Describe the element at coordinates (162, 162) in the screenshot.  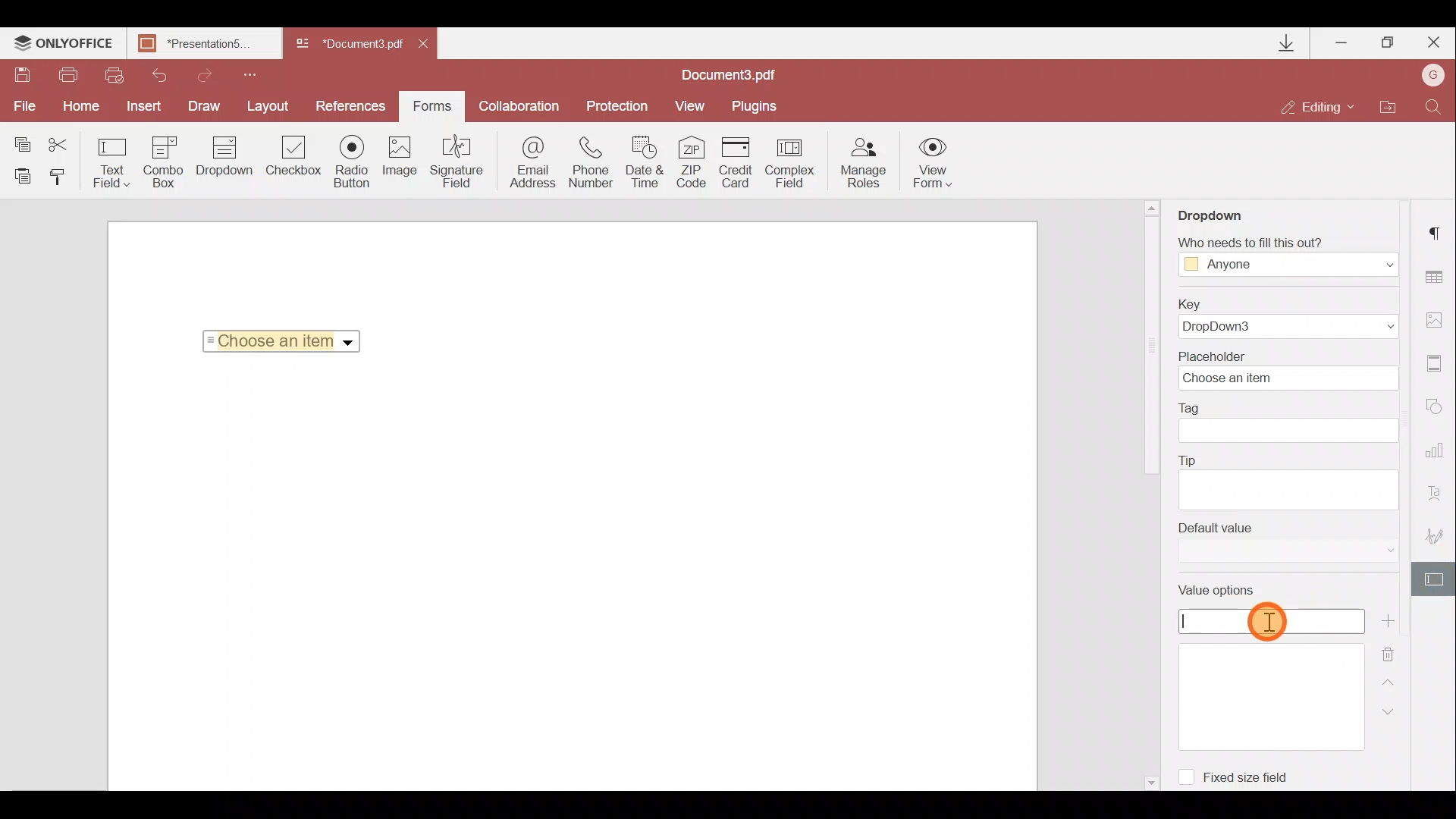
I see `Combo box` at that location.